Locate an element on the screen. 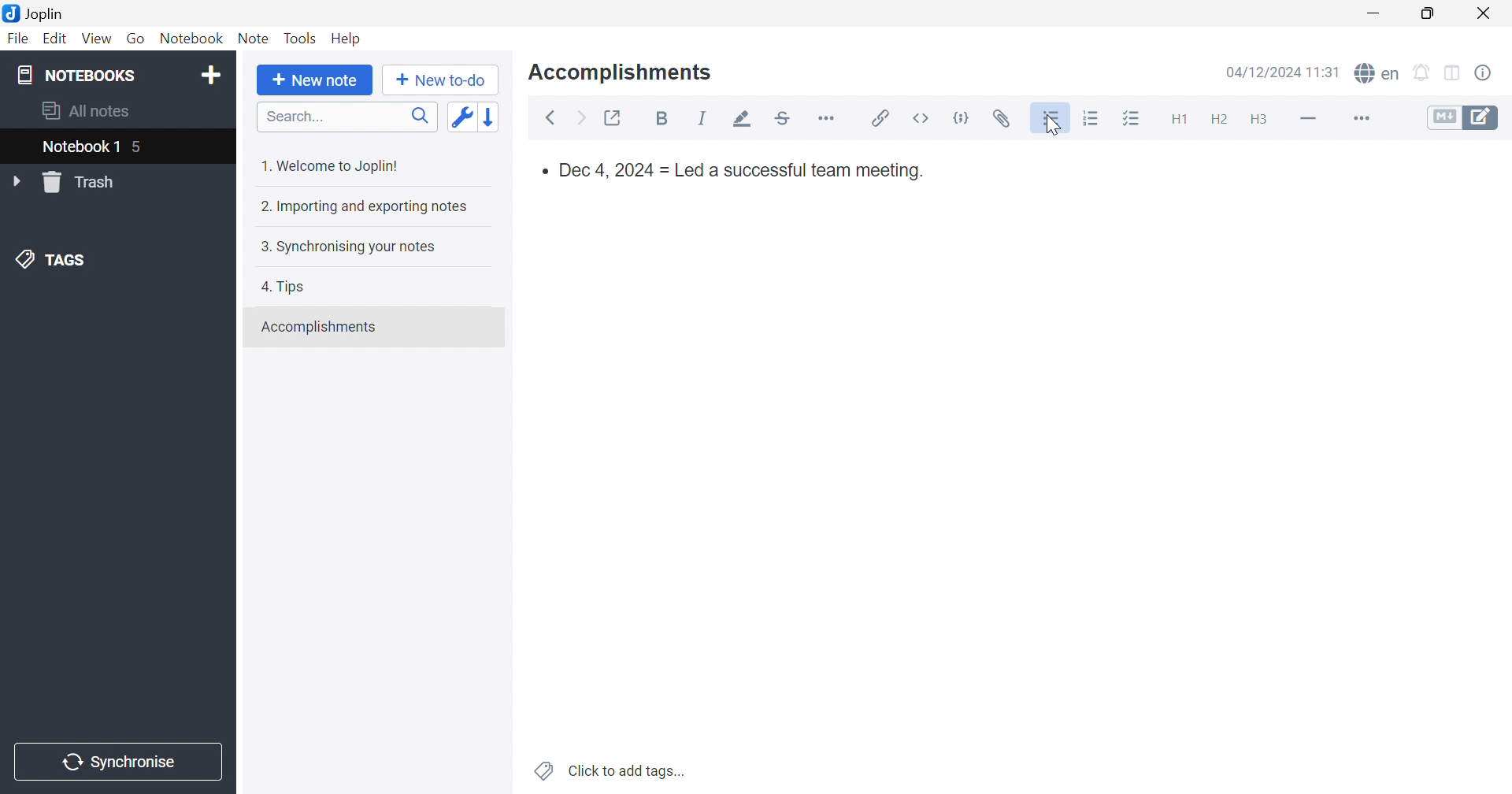 The height and width of the screenshot is (794, 1512). Go is located at coordinates (138, 39).